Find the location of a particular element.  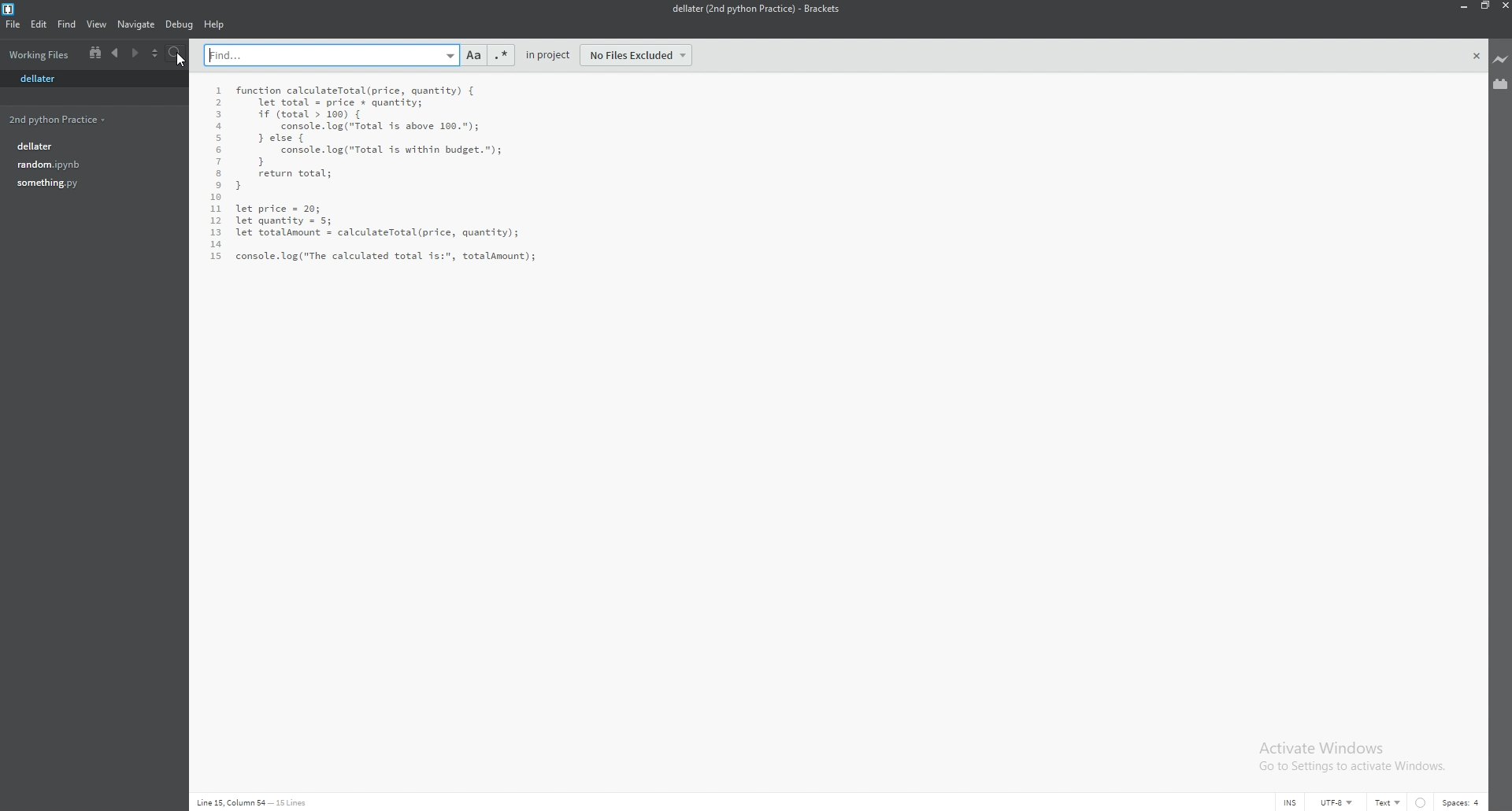

view is located at coordinates (97, 24).